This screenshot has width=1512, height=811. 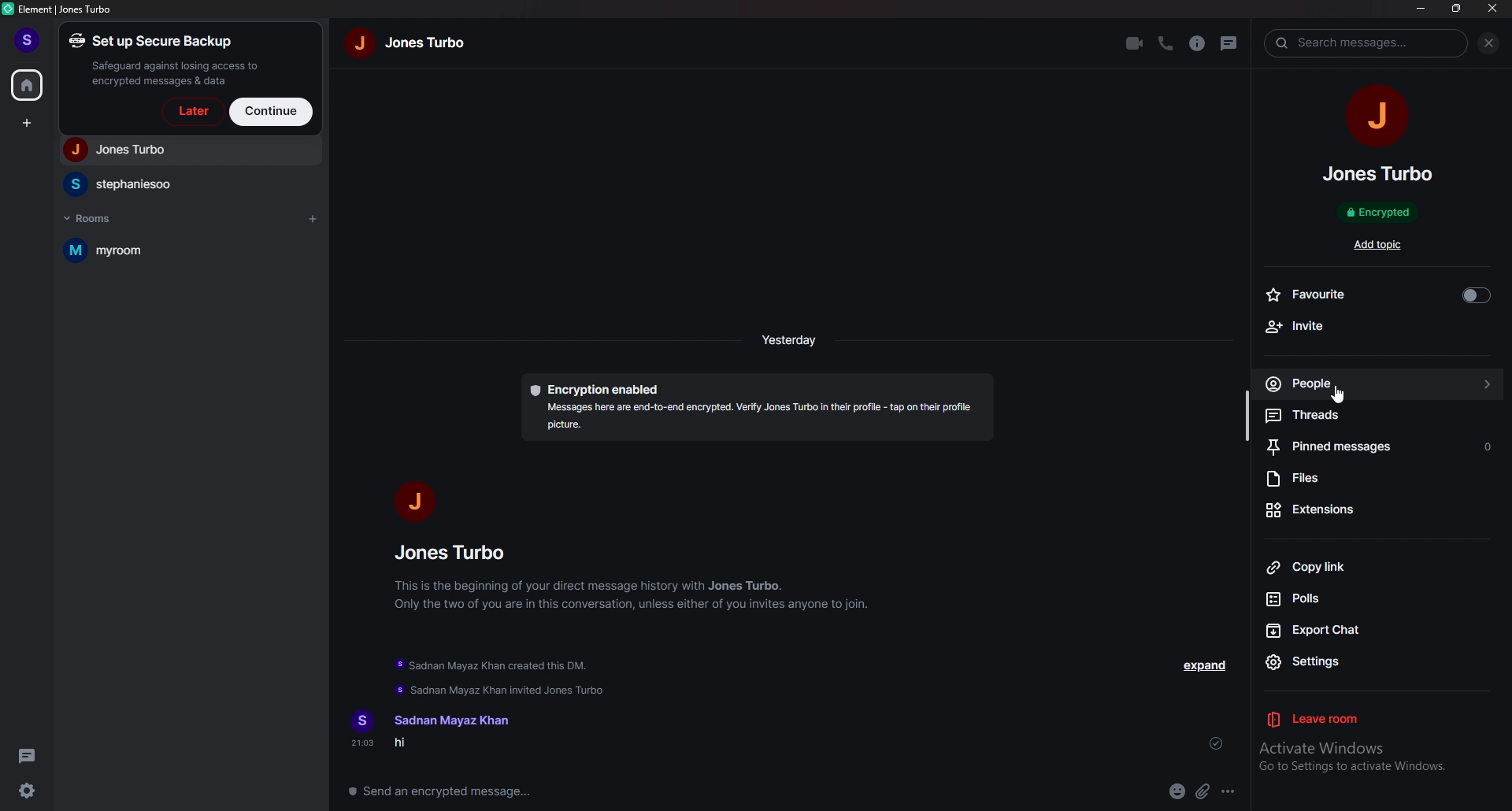 What do you see at coordinates (1342, 394) in the screenshot?
I see `cursor` at bounding box center [1342, 394].